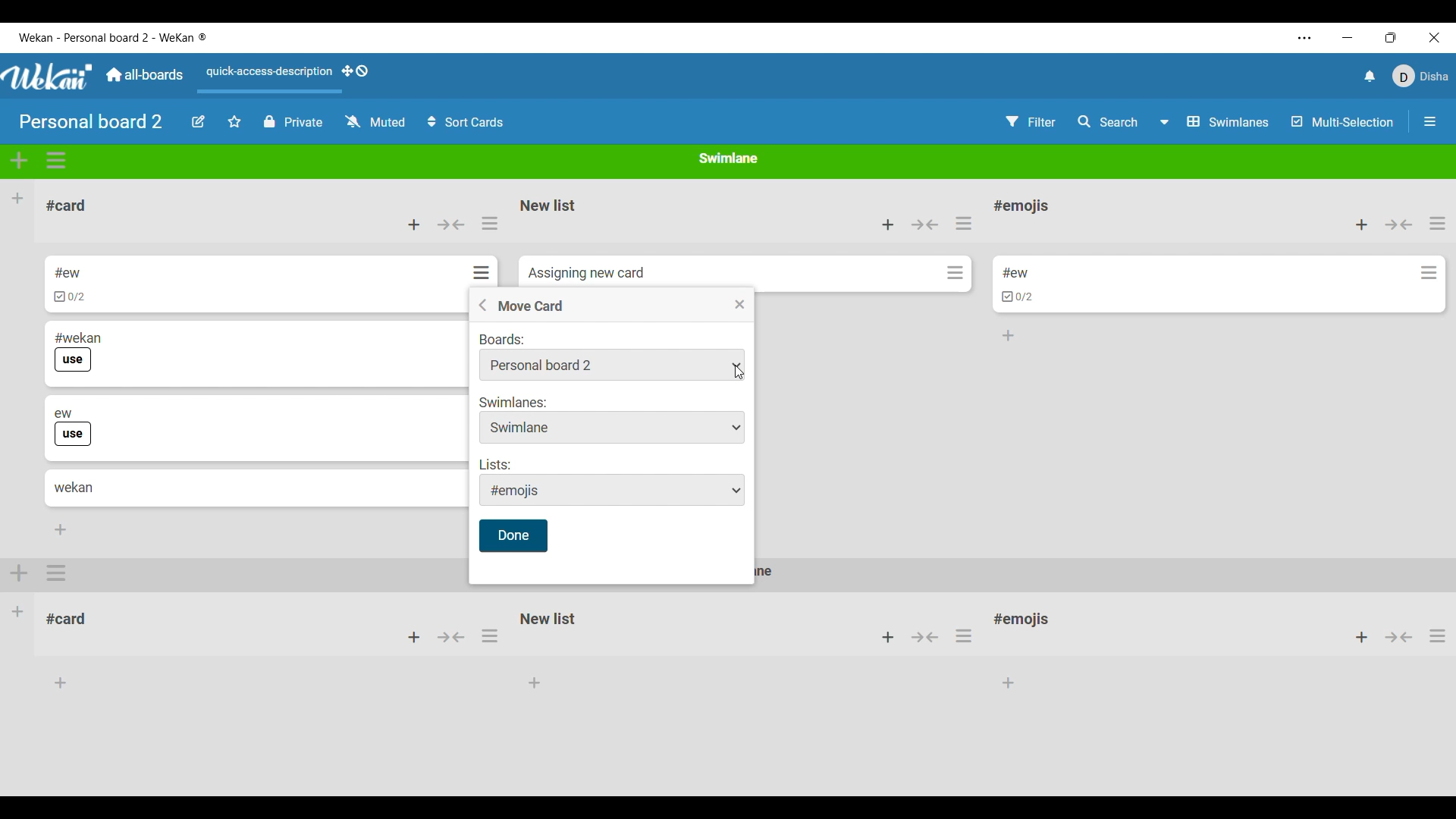 The height and width of the screenshot is (819, 1456). Describe the element at coordinates (450, 224) in the screenshot. I see `Collapse` at that location.